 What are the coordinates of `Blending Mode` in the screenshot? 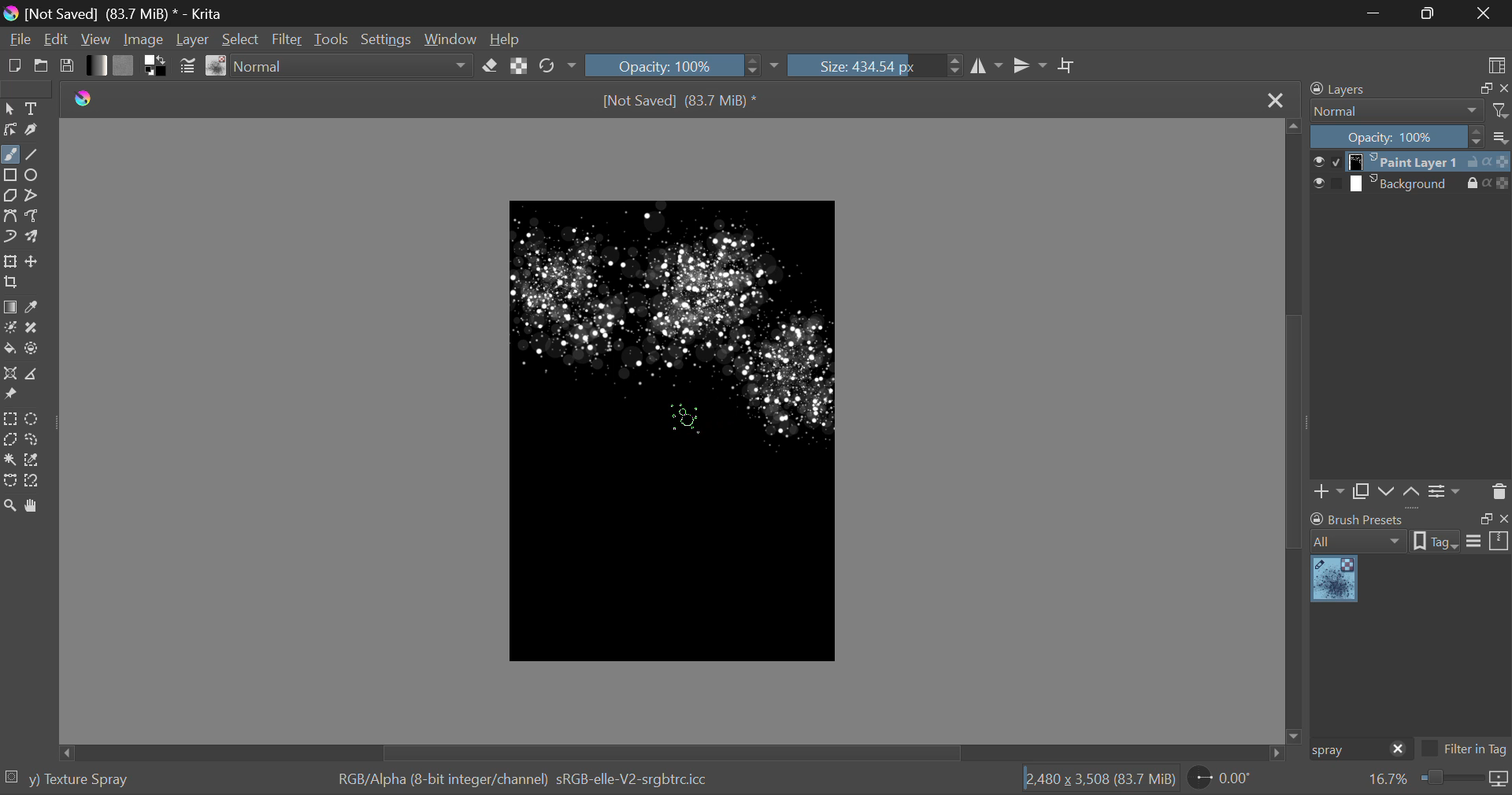 It's located at (354, 66).